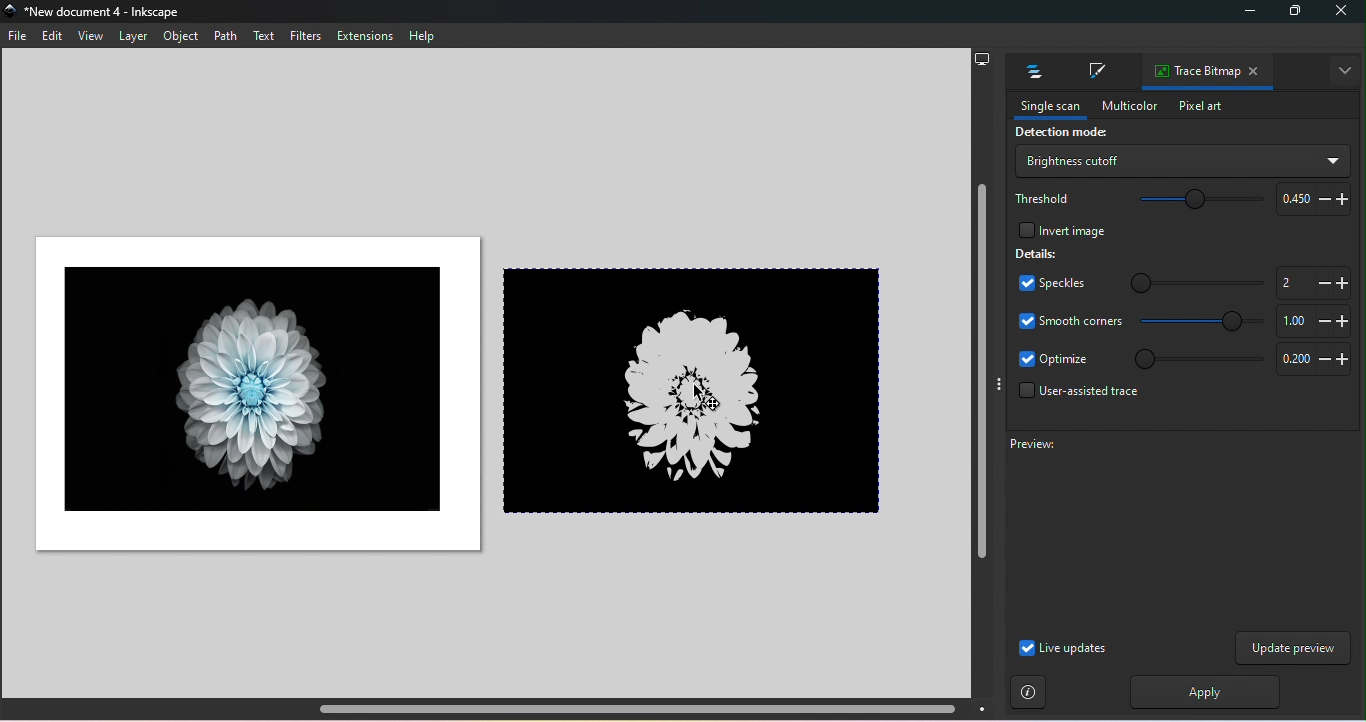 This screenshot has height=722, width=1366. What do you see at coordinates (1184, 279) in the screenshot?
I see `Speckles slide bar` at bounding box center [1184, 279].